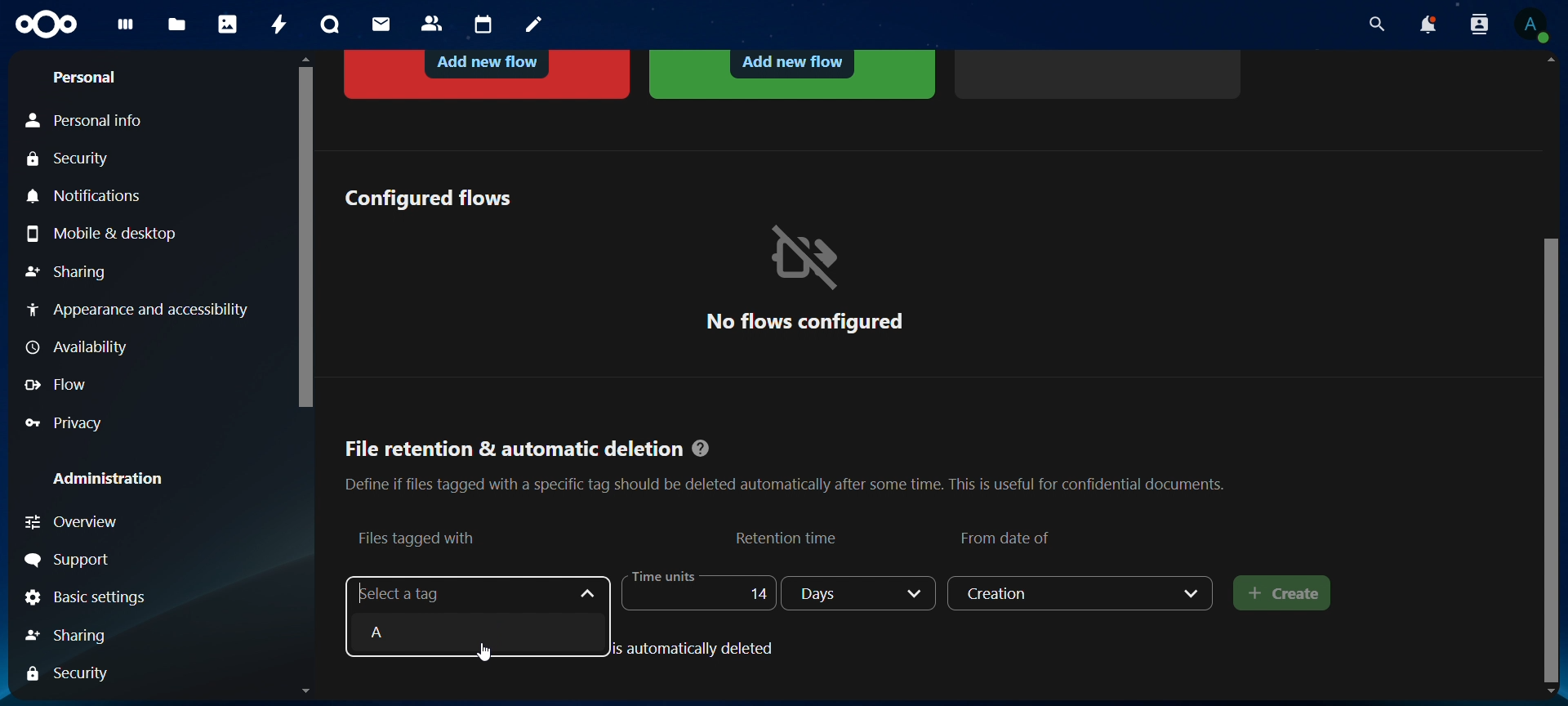 The width and height of the screenshot is (1568, 706). What do you see at coordinates (484, 25) in the screenshot?
I see `calendar` at bounding box center [484, 25].